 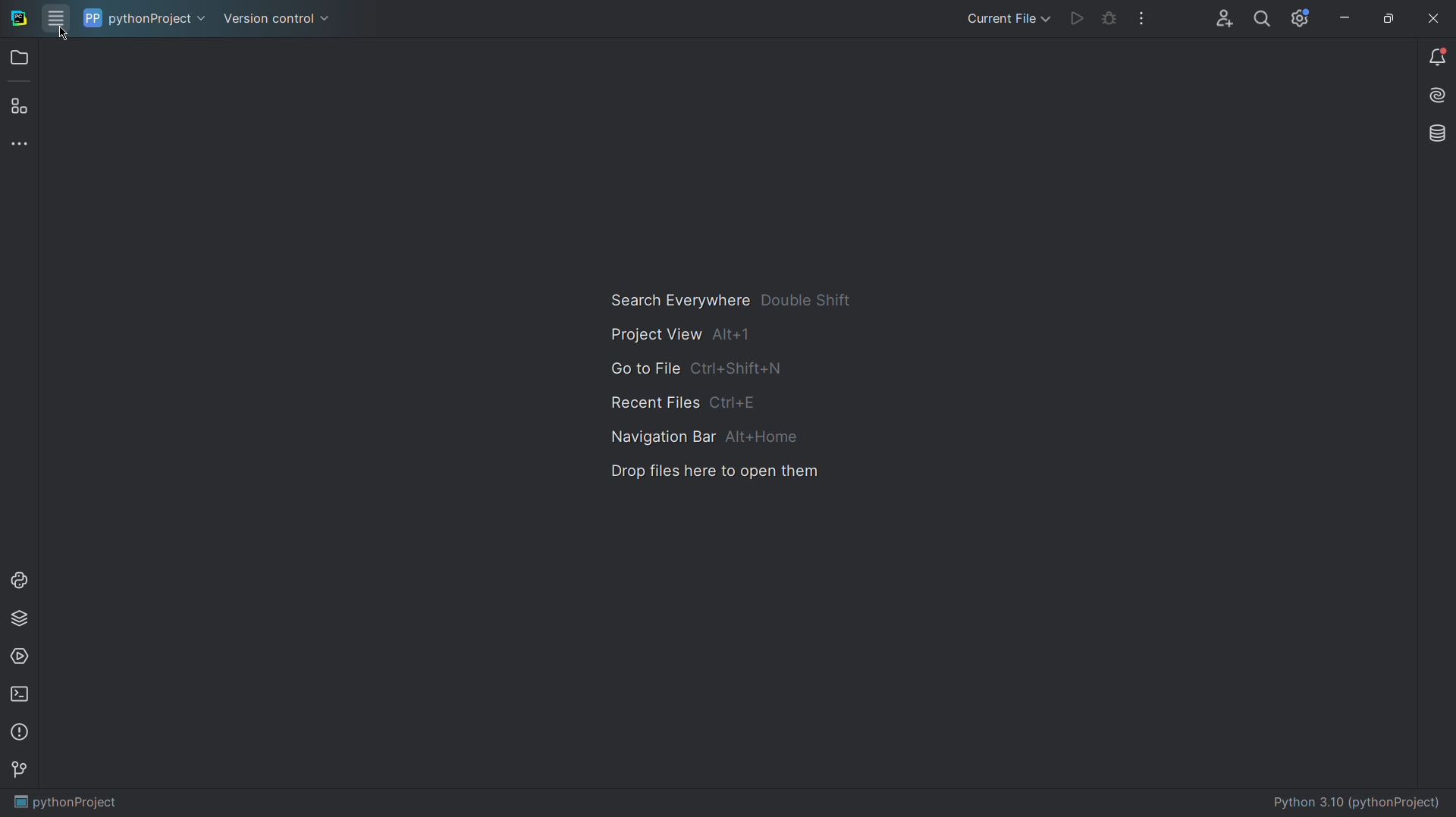 What do you see at coordinates (21, 146) in the screenshot?
I see `More` at bounding box center [21, 146].